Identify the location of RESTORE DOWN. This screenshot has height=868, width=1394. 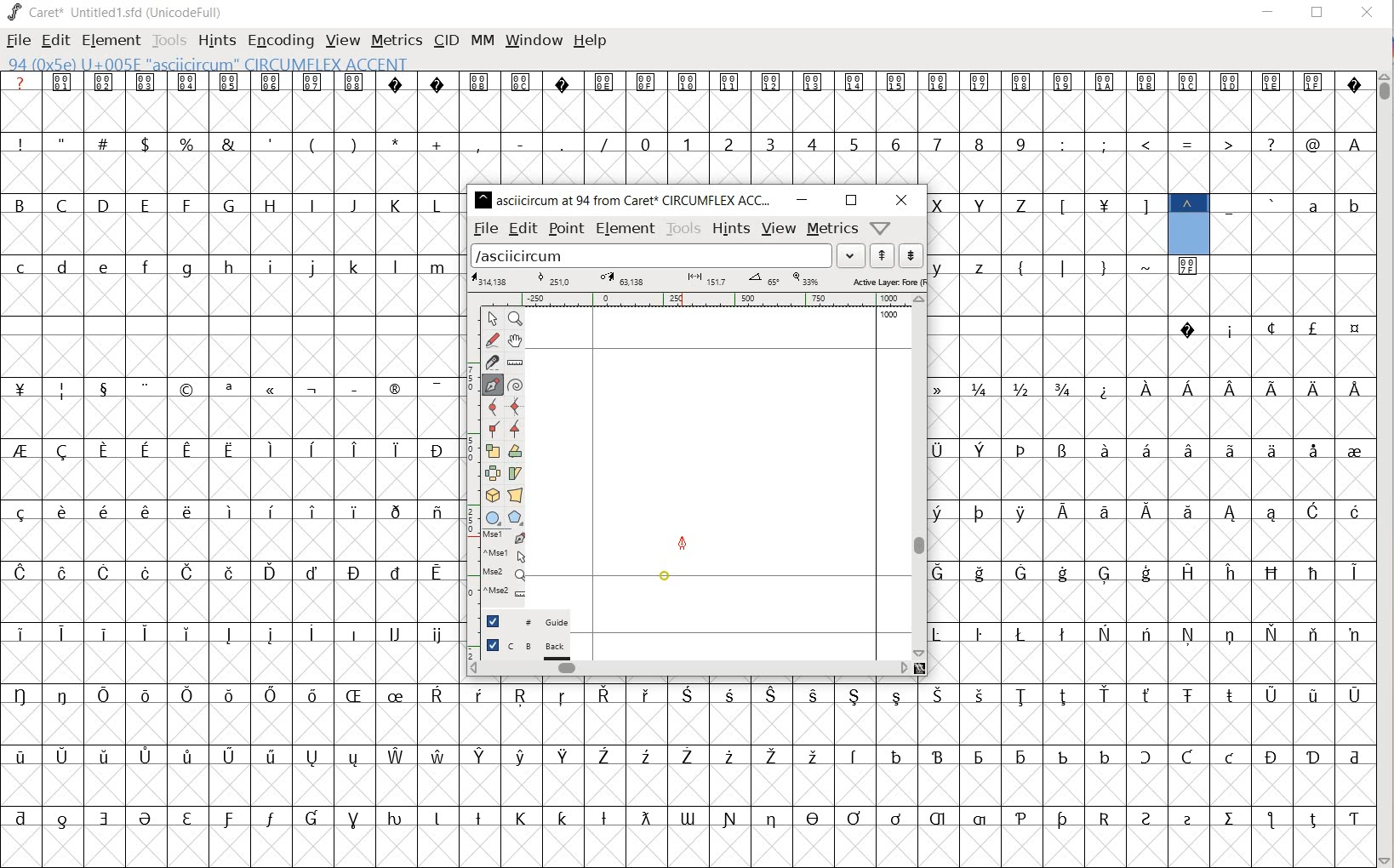
(1317, 16).